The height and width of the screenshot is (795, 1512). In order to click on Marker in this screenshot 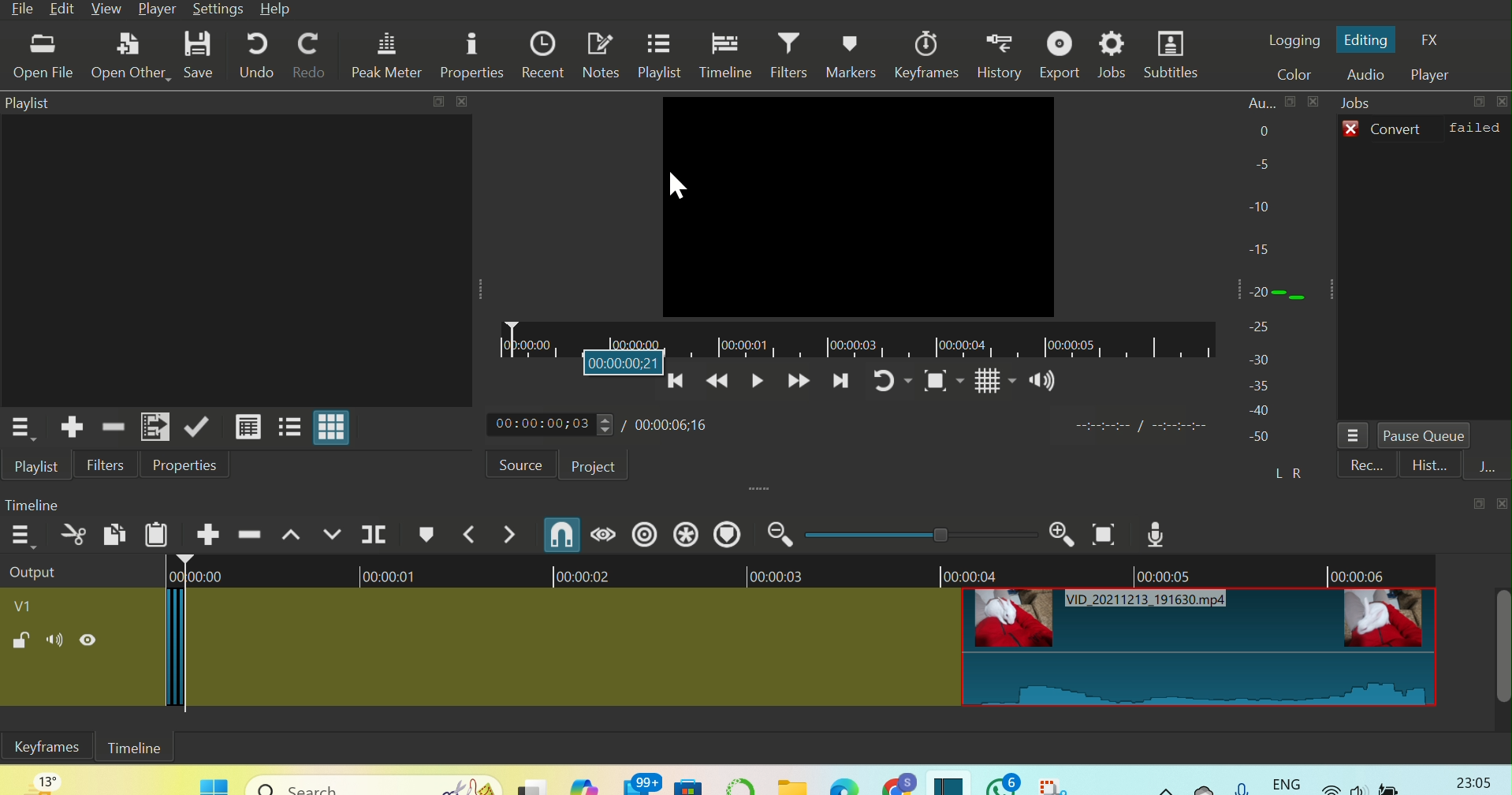, I will do `click(728, 534)`.